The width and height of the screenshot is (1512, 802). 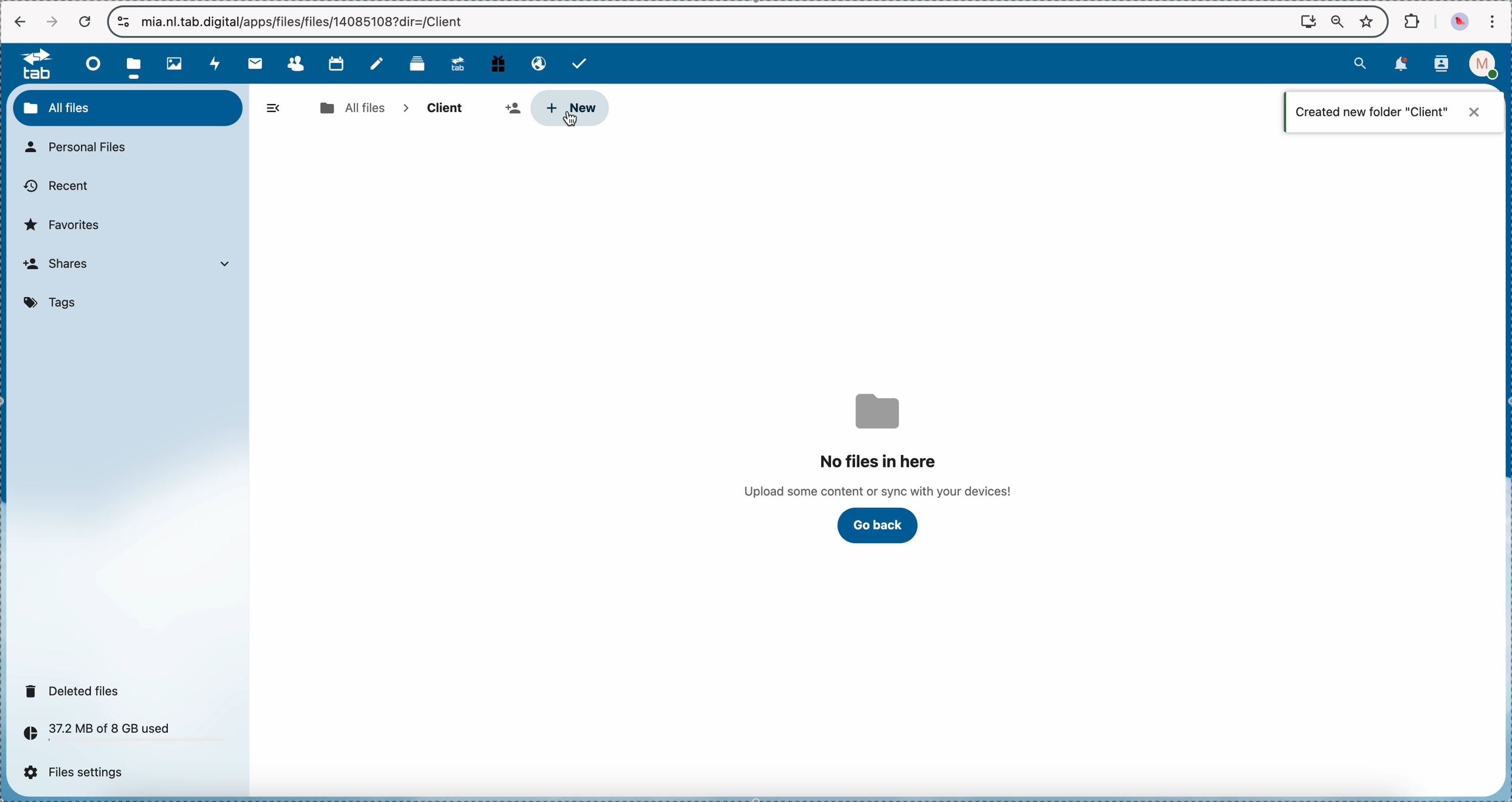 What do you see at coordinates (569, 108) in the screenshot?
I see `click on new button` at bounding box center [569, 108].